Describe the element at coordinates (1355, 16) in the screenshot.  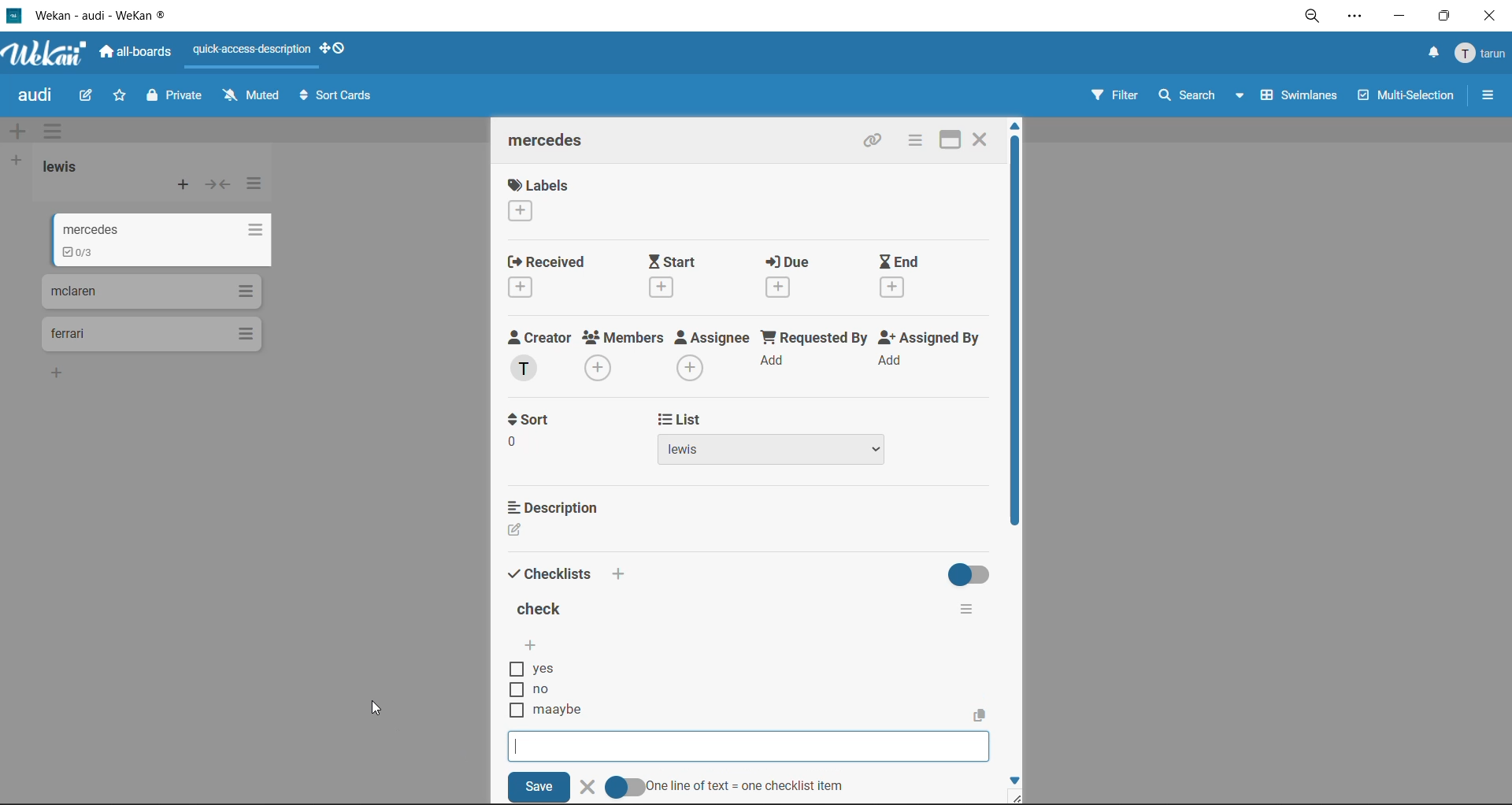
I see `settings` at that location.